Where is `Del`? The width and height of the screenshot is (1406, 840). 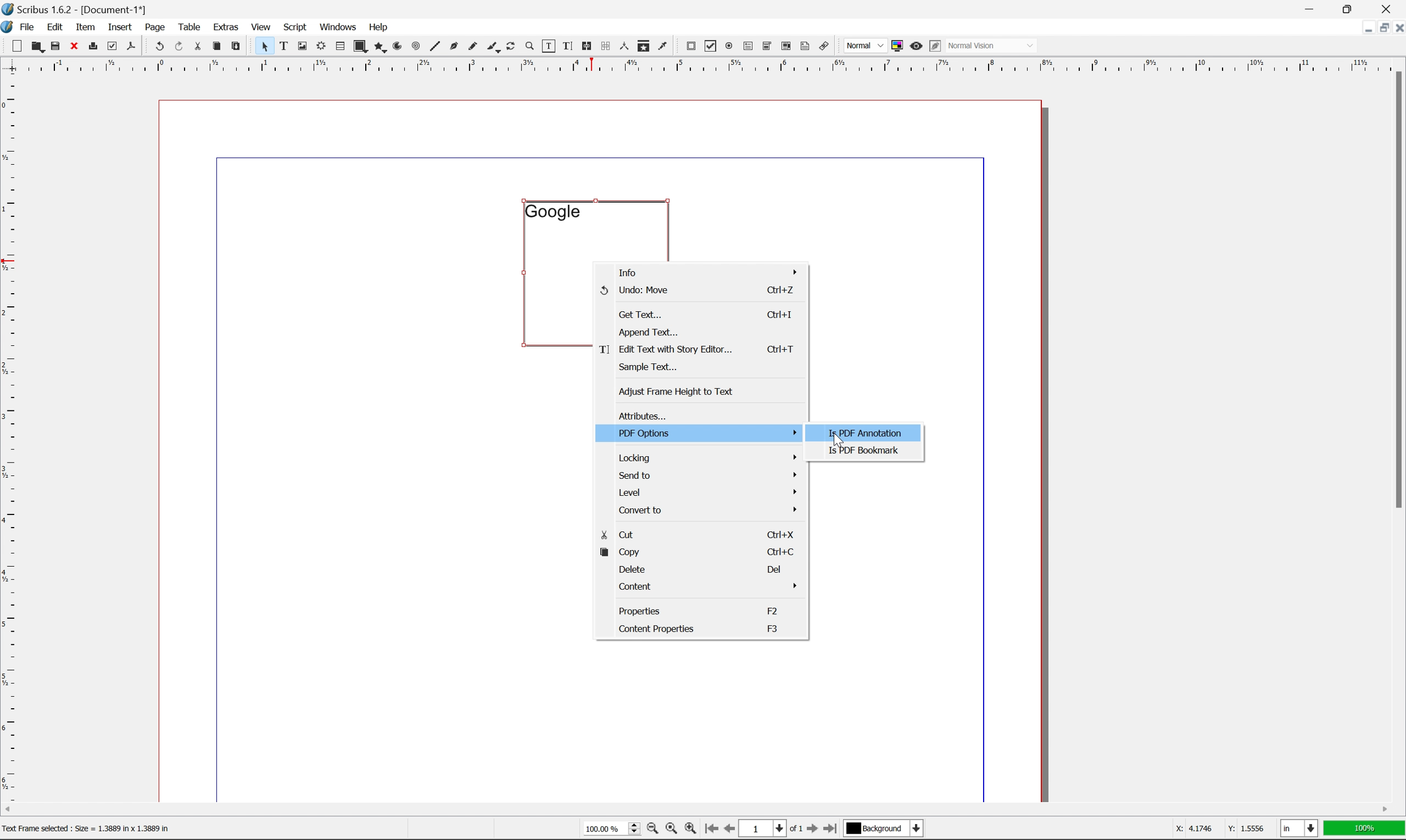
Del is located at coordinates (775, 569).